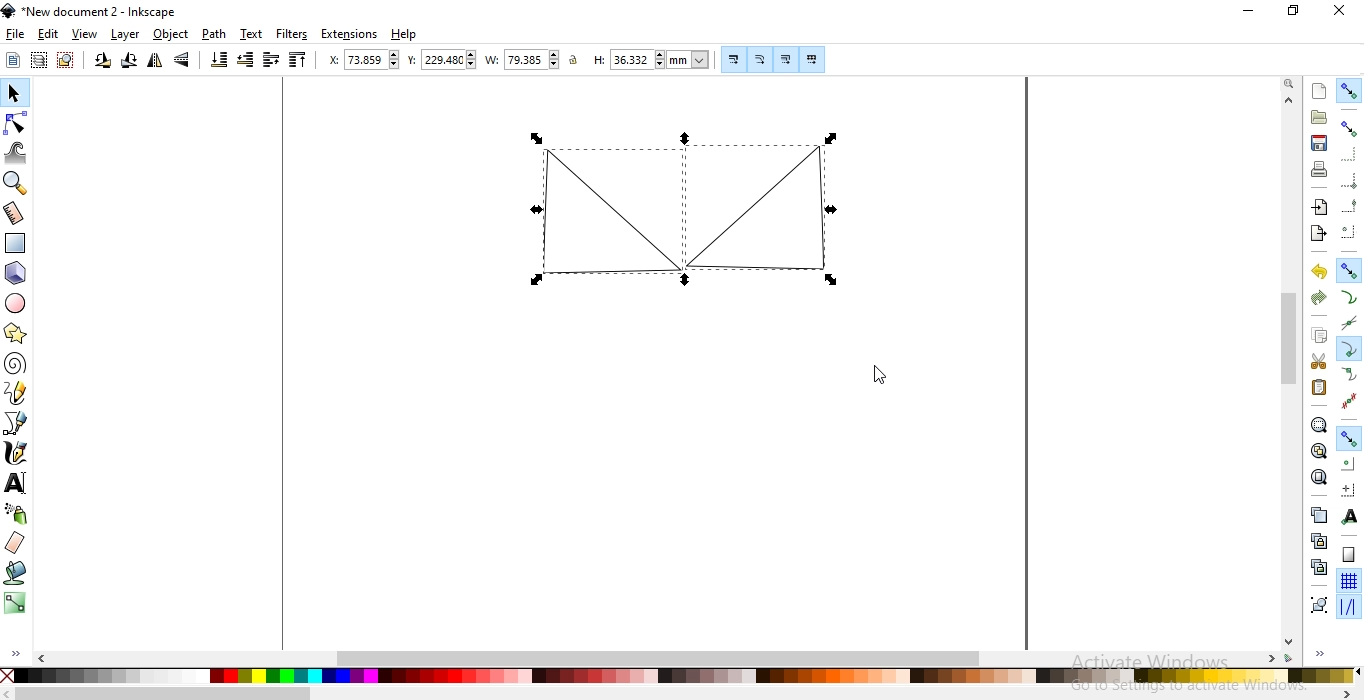 The height and width of the screenshot is (700, 1364). What do you see at coordinates (67, 61) in the screenshot?
I see `deselect any selected objects or nodes` at bounding box center [67, 61].